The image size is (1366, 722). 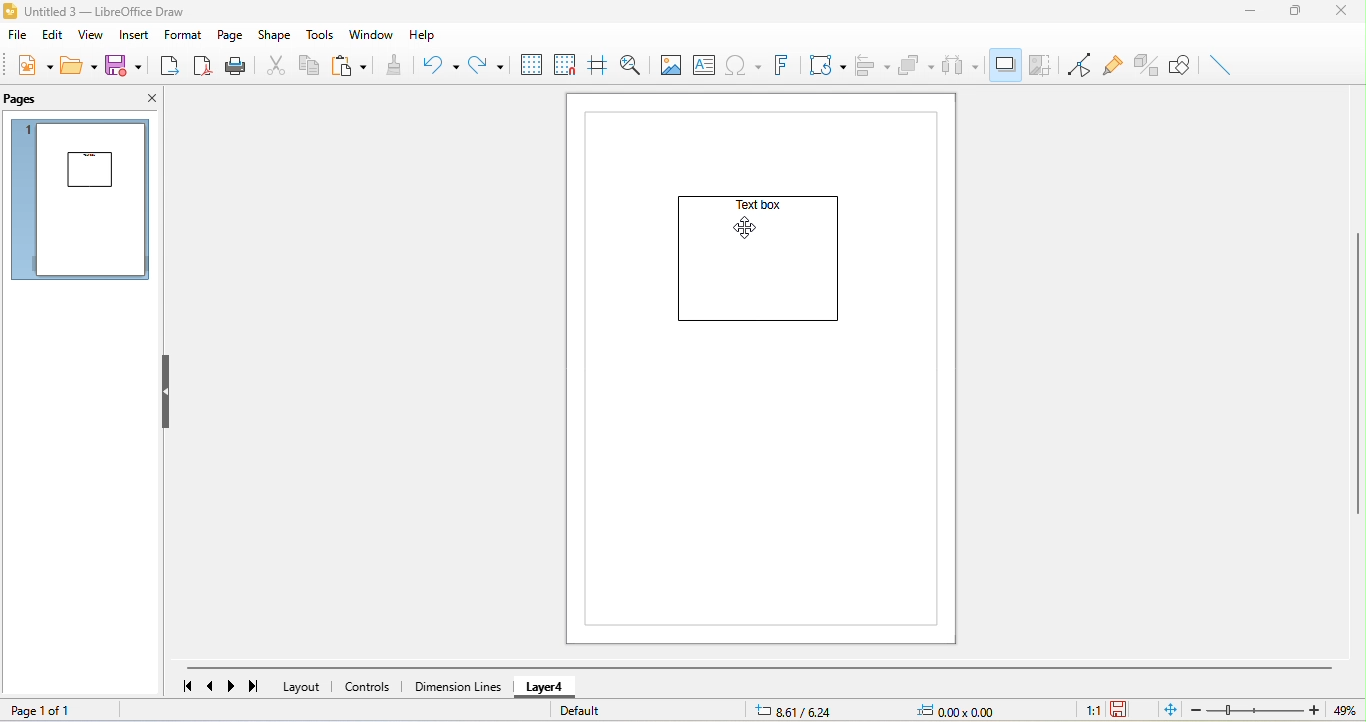 I want to click on page 1 of 1, so click(x=43, y=712).